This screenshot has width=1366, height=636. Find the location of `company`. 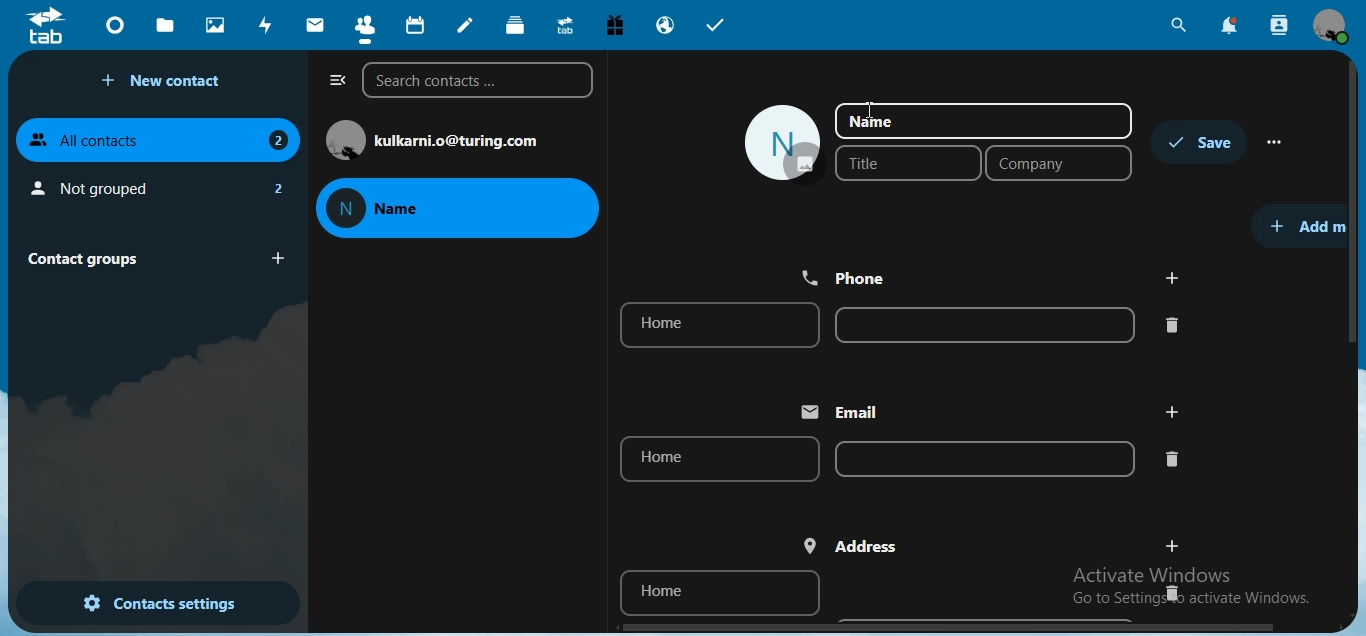

company is located at coordinates (1059, 164).